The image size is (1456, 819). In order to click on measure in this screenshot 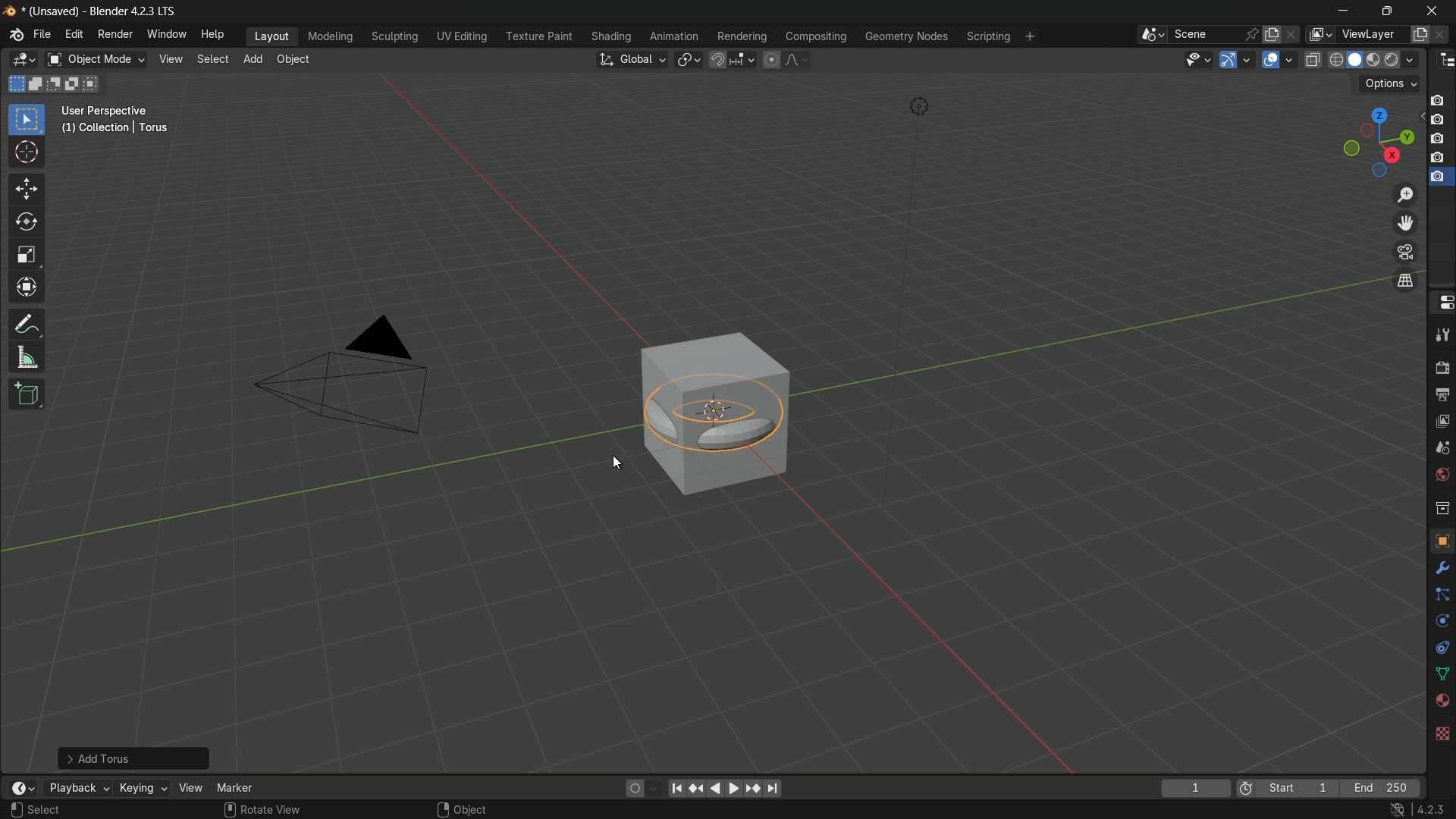, I will do `click(27, 358)`.